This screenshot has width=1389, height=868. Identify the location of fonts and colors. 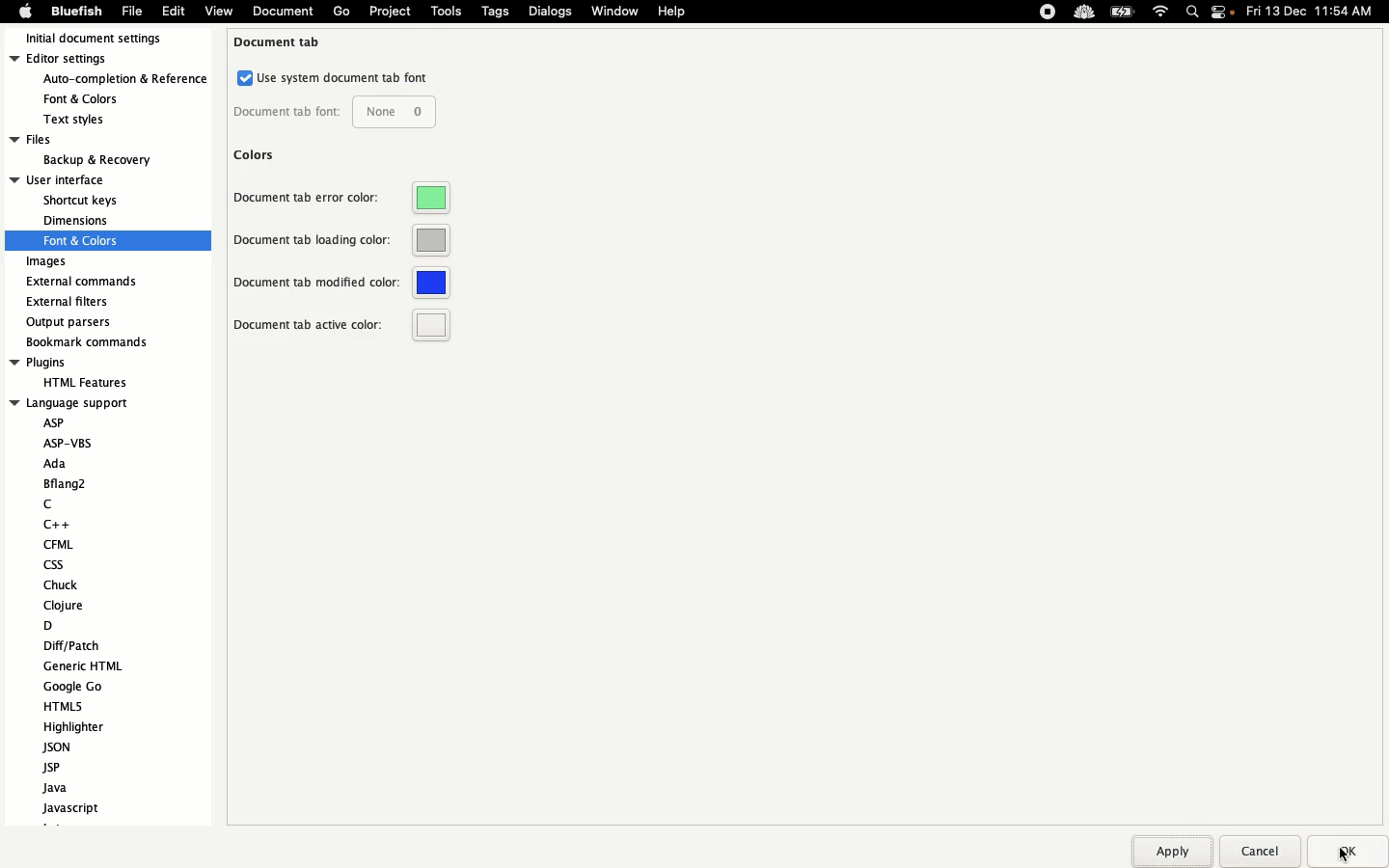
(107, 240).